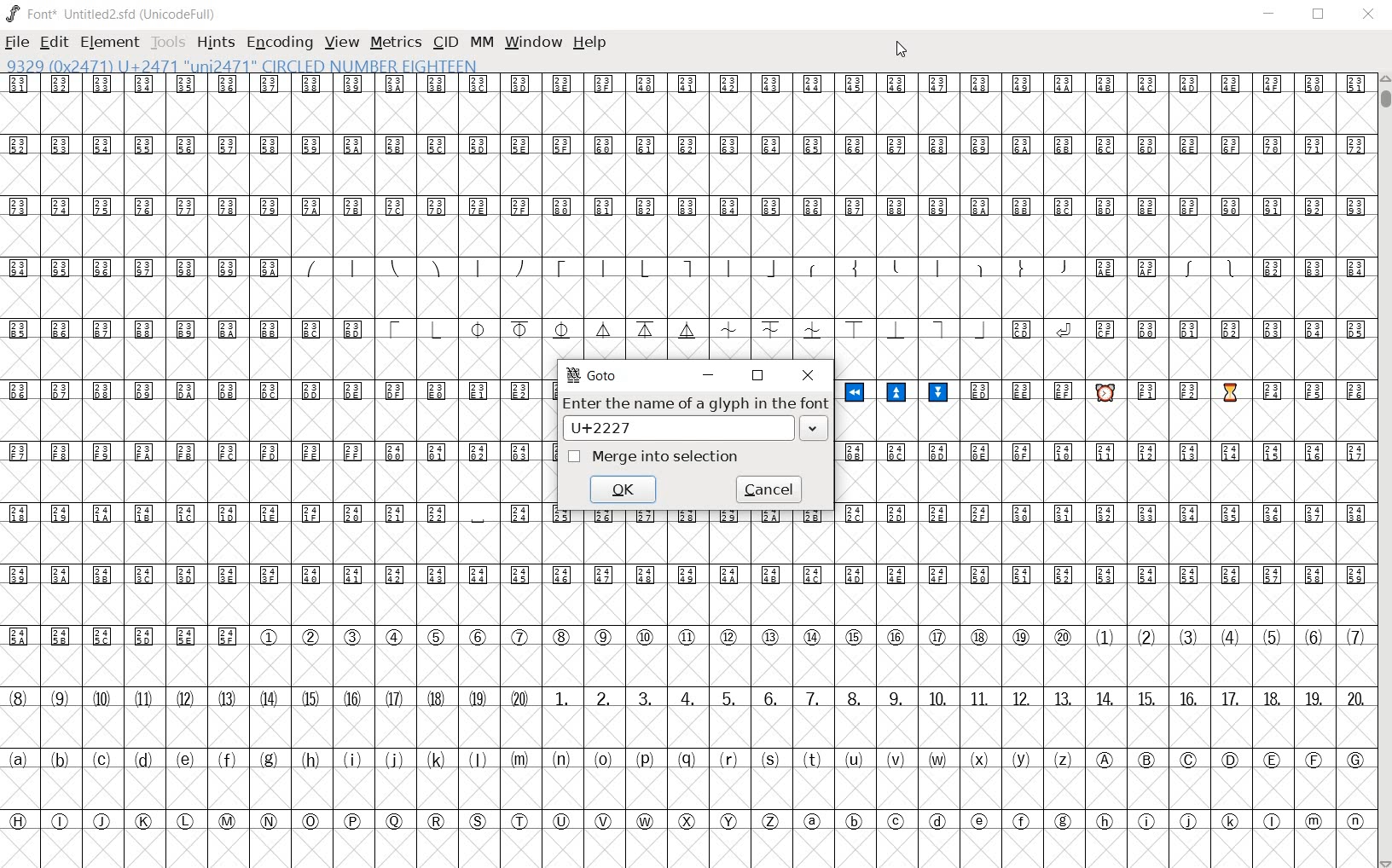  I want to click on glyph characters, so click(1102, 440).